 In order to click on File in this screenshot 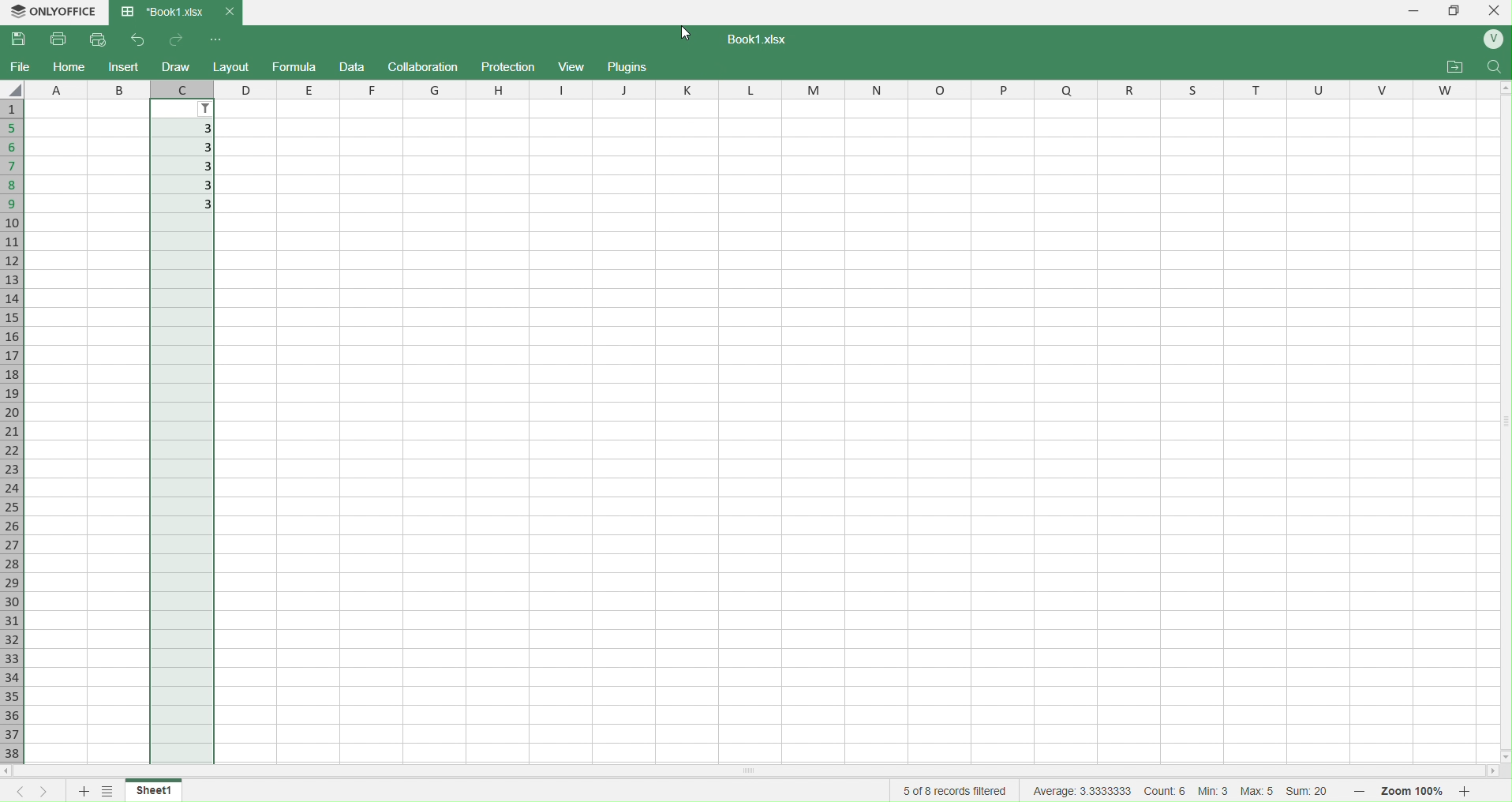, I will do `click(21, 66)`.